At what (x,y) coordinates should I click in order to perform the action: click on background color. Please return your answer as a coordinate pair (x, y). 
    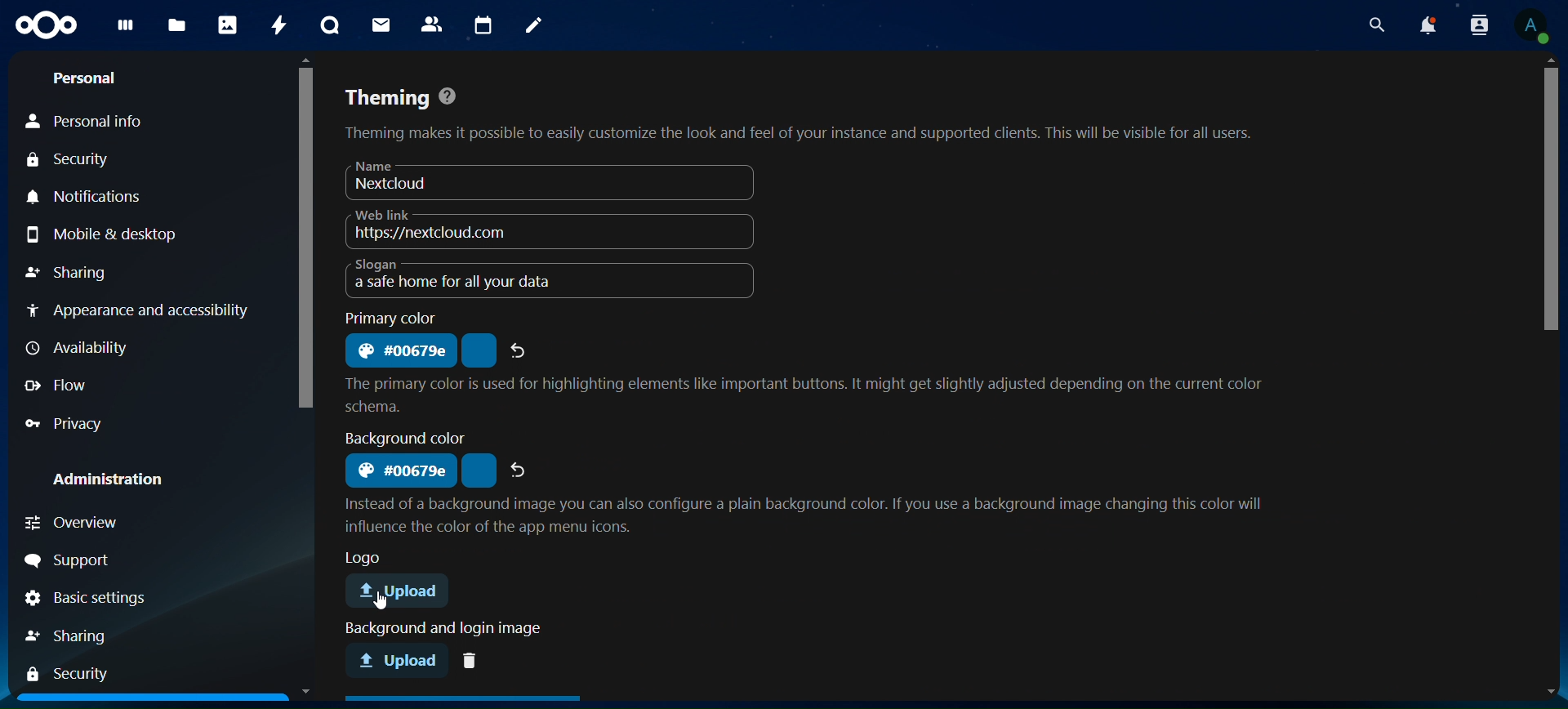
    Looking at the image, I should click on (399, 470).